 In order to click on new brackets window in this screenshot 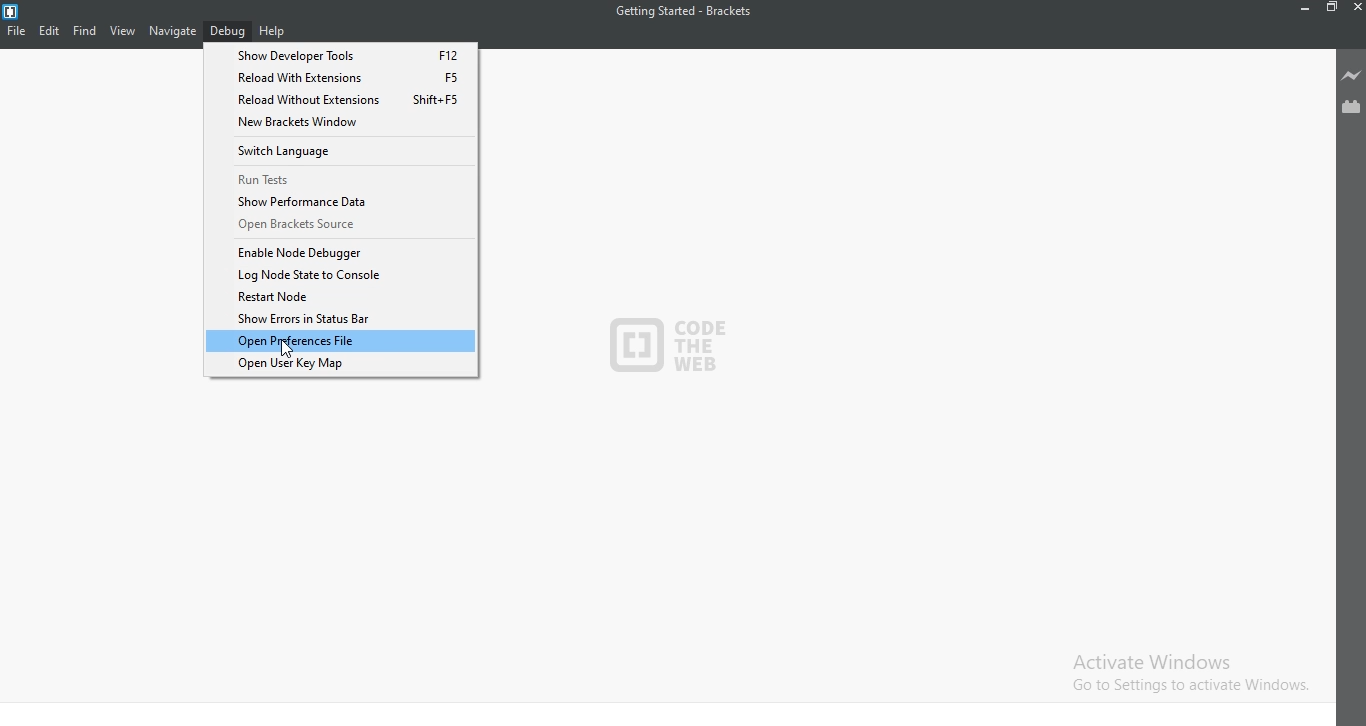, I will do `click(339, 123)`.